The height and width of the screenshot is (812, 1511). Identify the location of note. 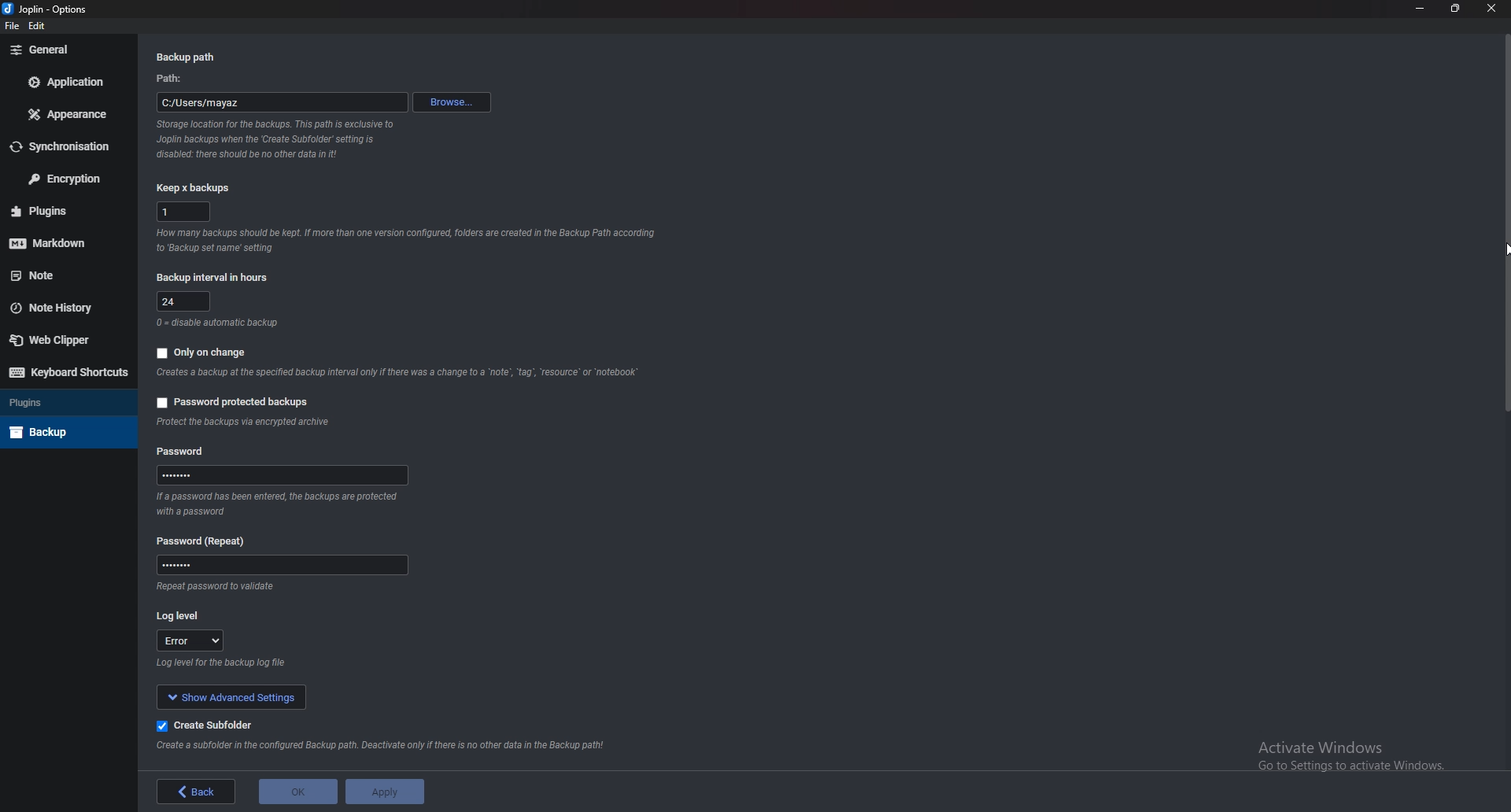
(62, 275).